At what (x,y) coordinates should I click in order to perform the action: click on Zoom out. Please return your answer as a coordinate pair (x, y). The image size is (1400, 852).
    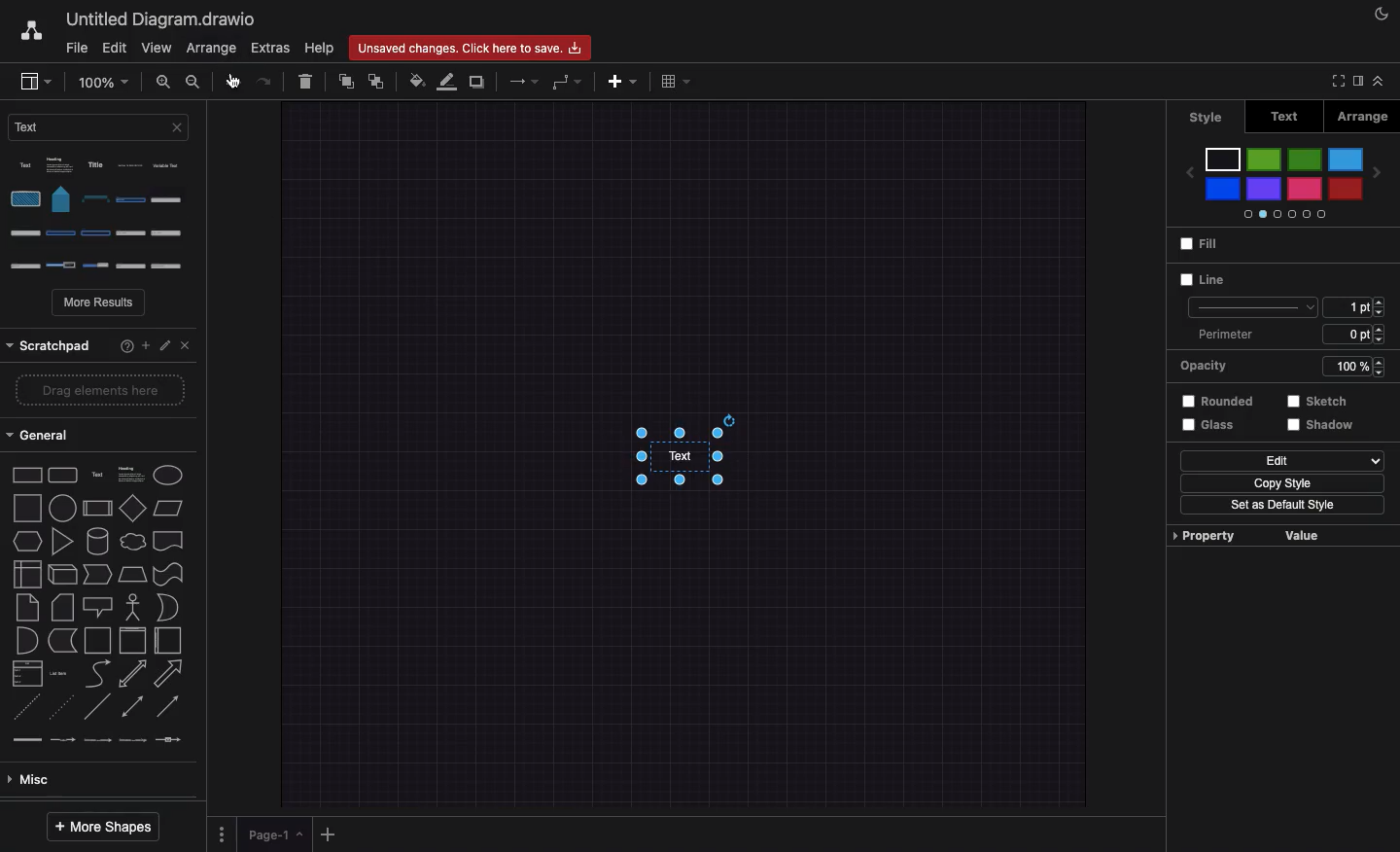
    Looking at the image, I should click on (193, 84).